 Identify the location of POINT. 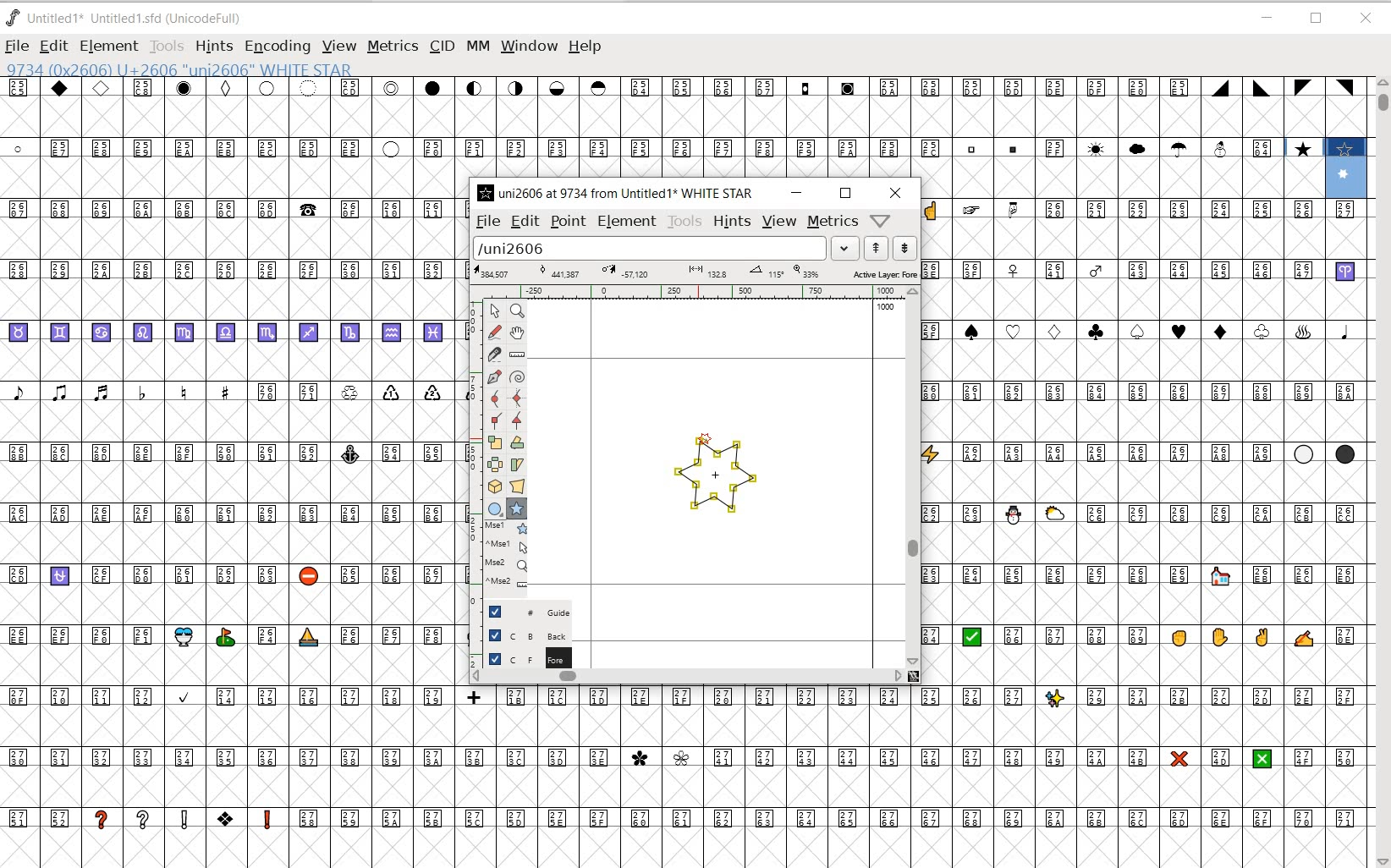
(568, 222).